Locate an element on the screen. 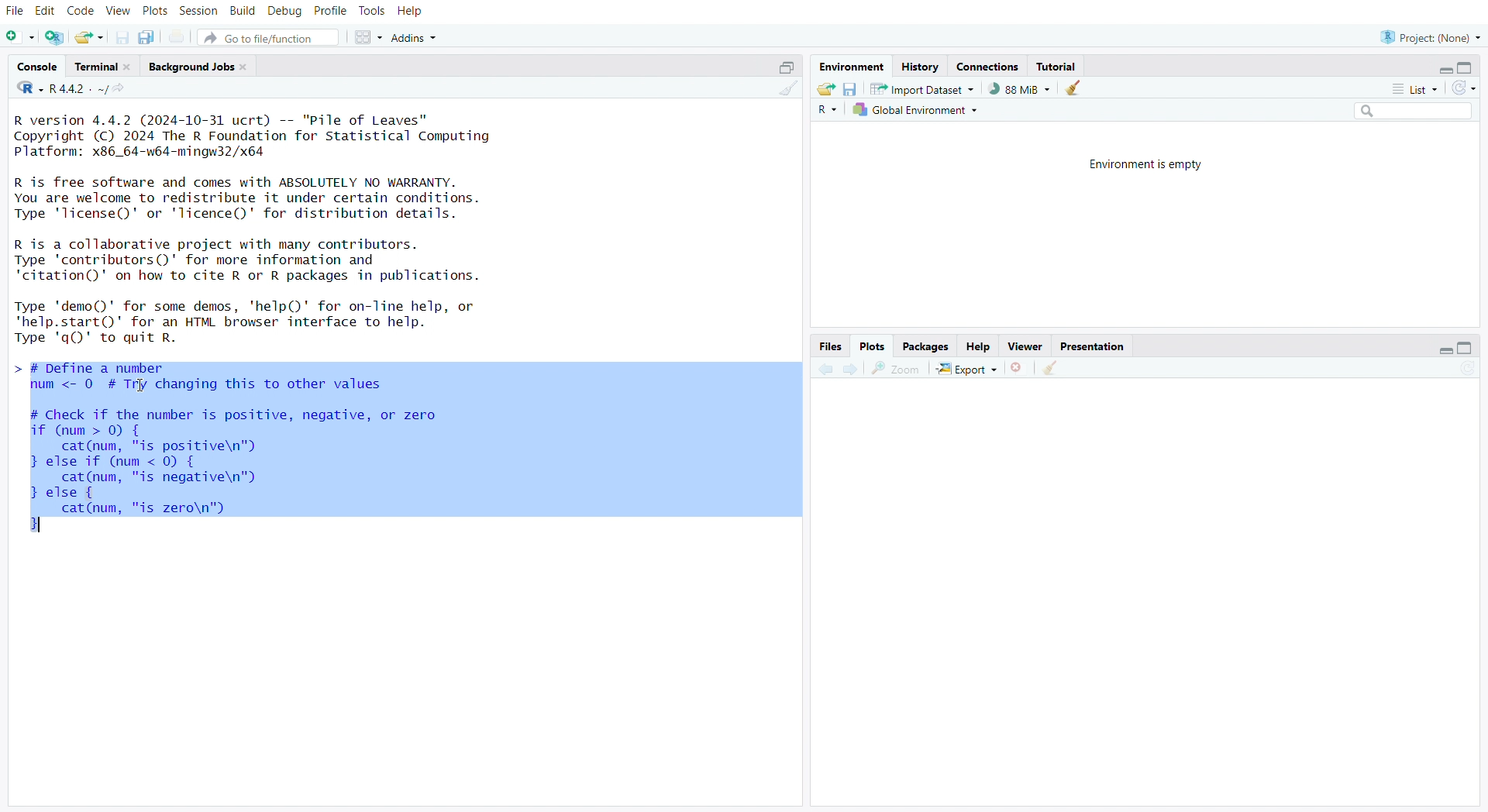 This screenshot has width=1488, height=812. save current document is located at coordinates (122, 39).